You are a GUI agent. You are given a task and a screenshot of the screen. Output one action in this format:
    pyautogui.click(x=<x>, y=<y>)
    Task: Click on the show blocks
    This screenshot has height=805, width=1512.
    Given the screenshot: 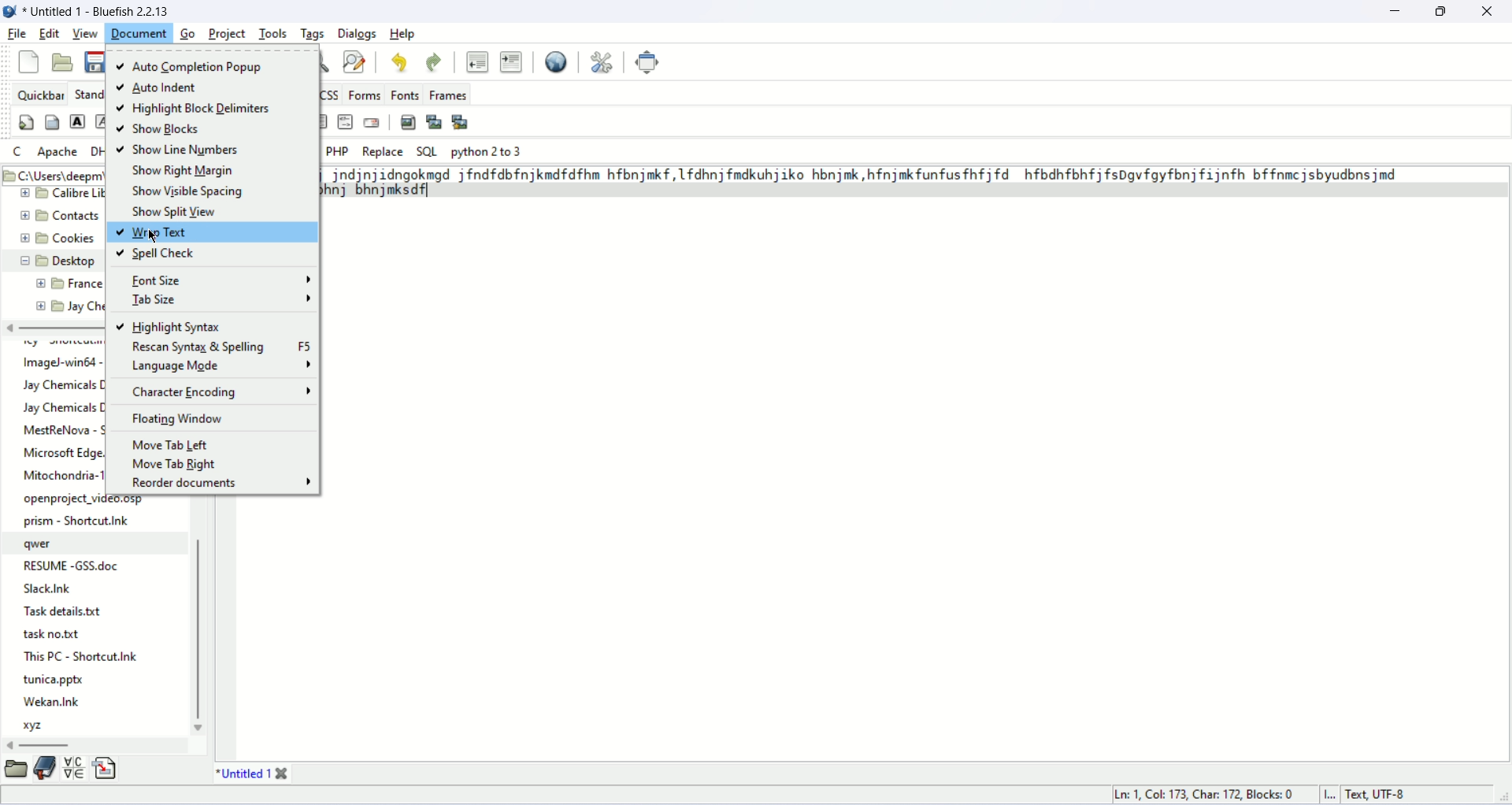 What is the action you would take?
    pyautogui.click(x=164, y=128)
    